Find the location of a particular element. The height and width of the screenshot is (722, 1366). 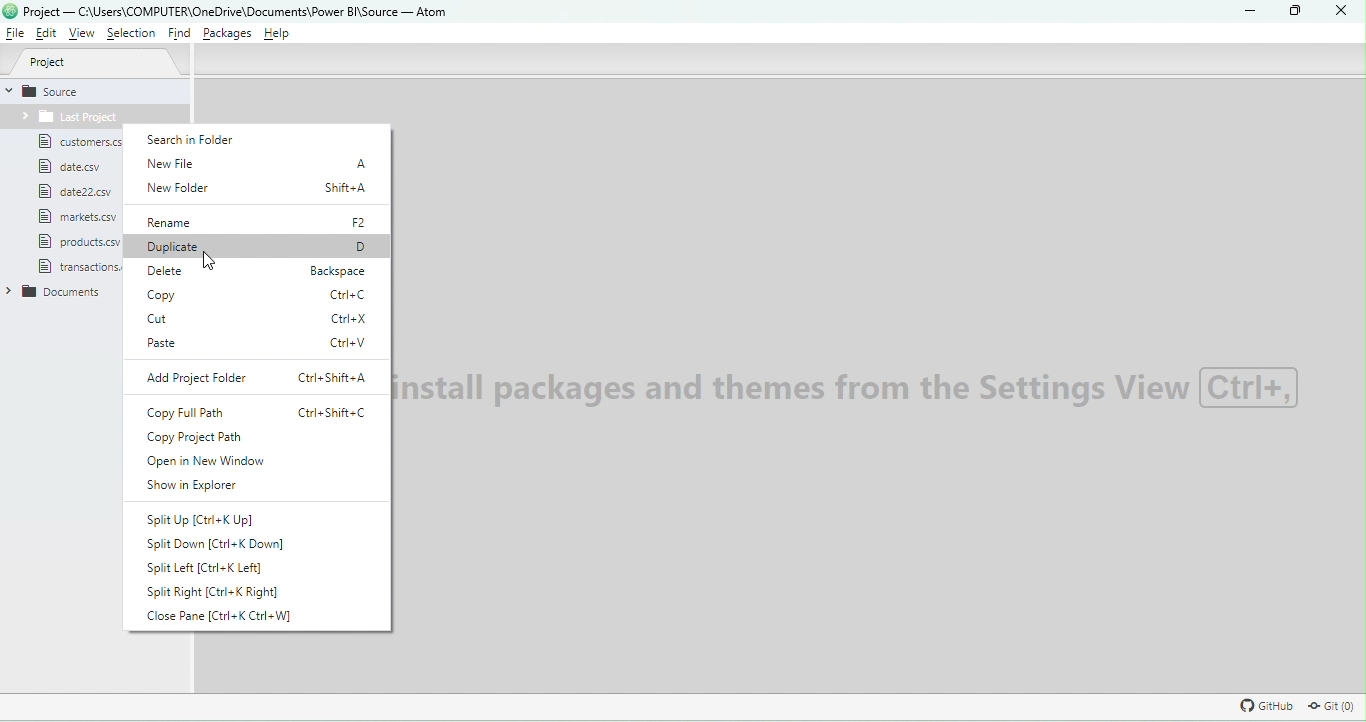

folder is located at coordinates (64, 295).